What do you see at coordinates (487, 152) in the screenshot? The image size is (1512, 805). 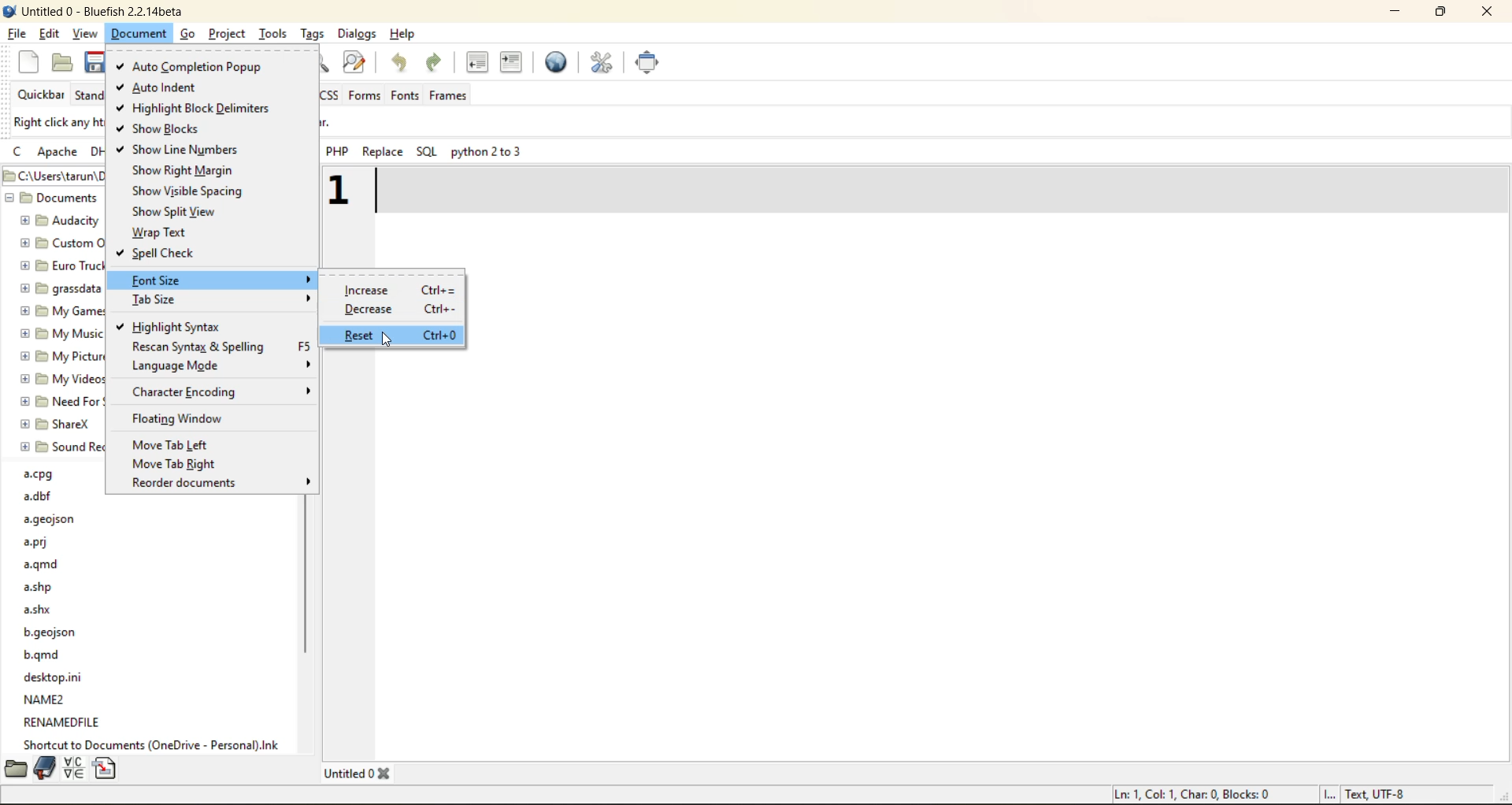 I see `python 2 to 3` at bounding box center [487, 152].